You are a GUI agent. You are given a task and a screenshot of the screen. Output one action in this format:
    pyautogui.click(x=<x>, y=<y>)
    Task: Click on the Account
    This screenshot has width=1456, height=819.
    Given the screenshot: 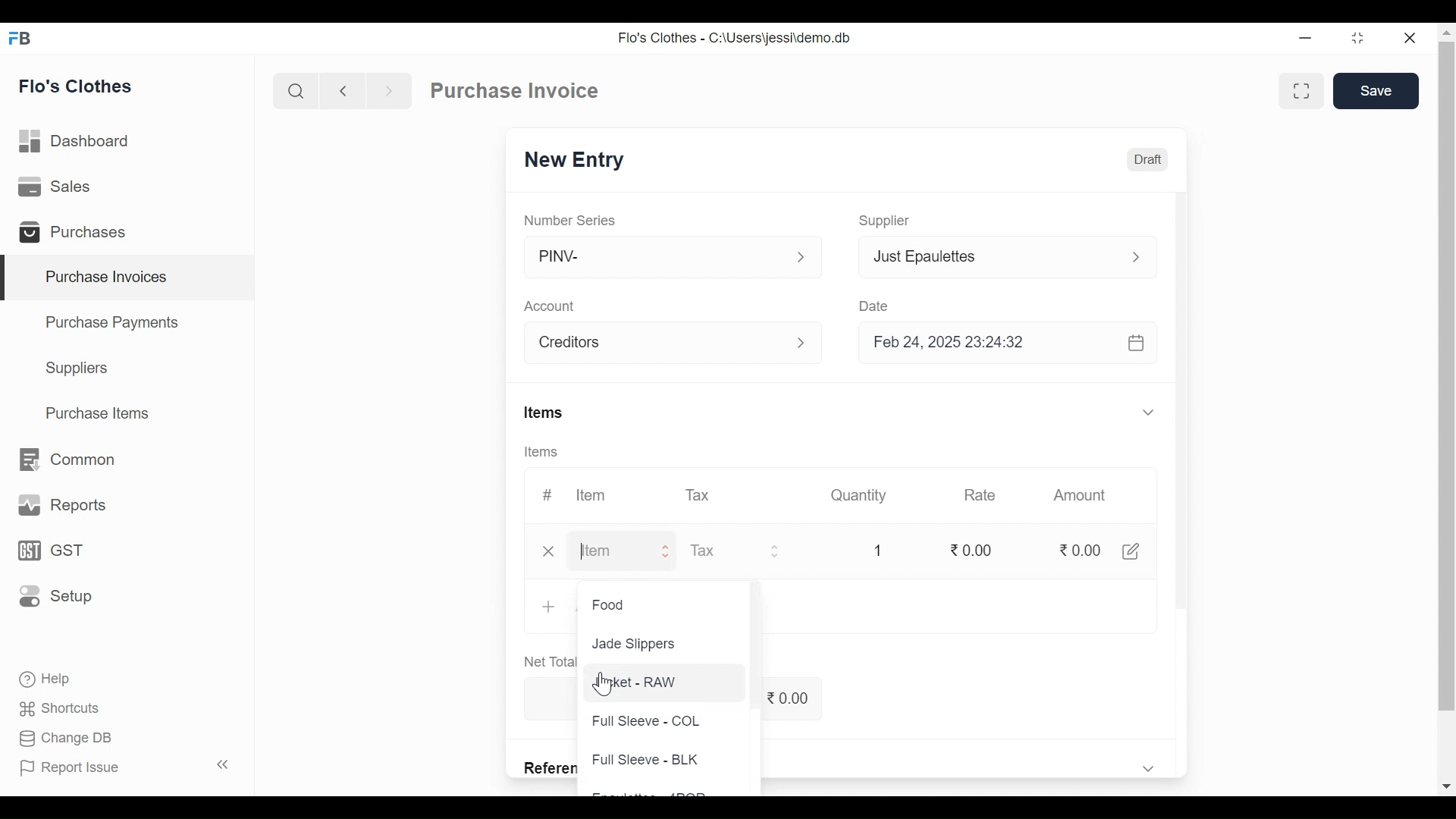 What is the action you would take?
    pyautogui.click(x=656, y=342)
    